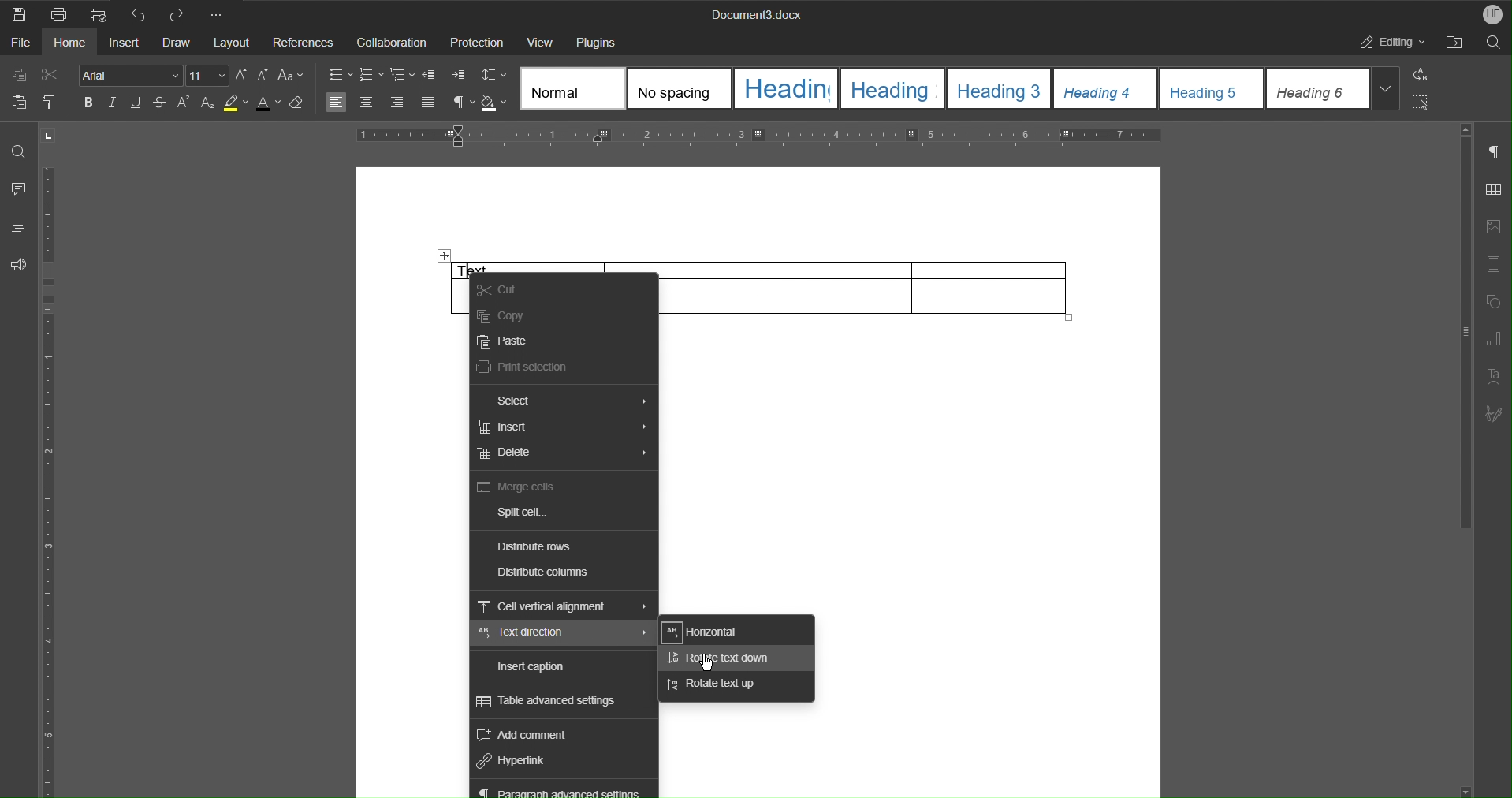 Image resolution: width=1512 pixels, height=798 pixels. What do you see at coordinates (1495, 410) in the screenshot?
I see `Signature` at bounding box center [1495, 410].